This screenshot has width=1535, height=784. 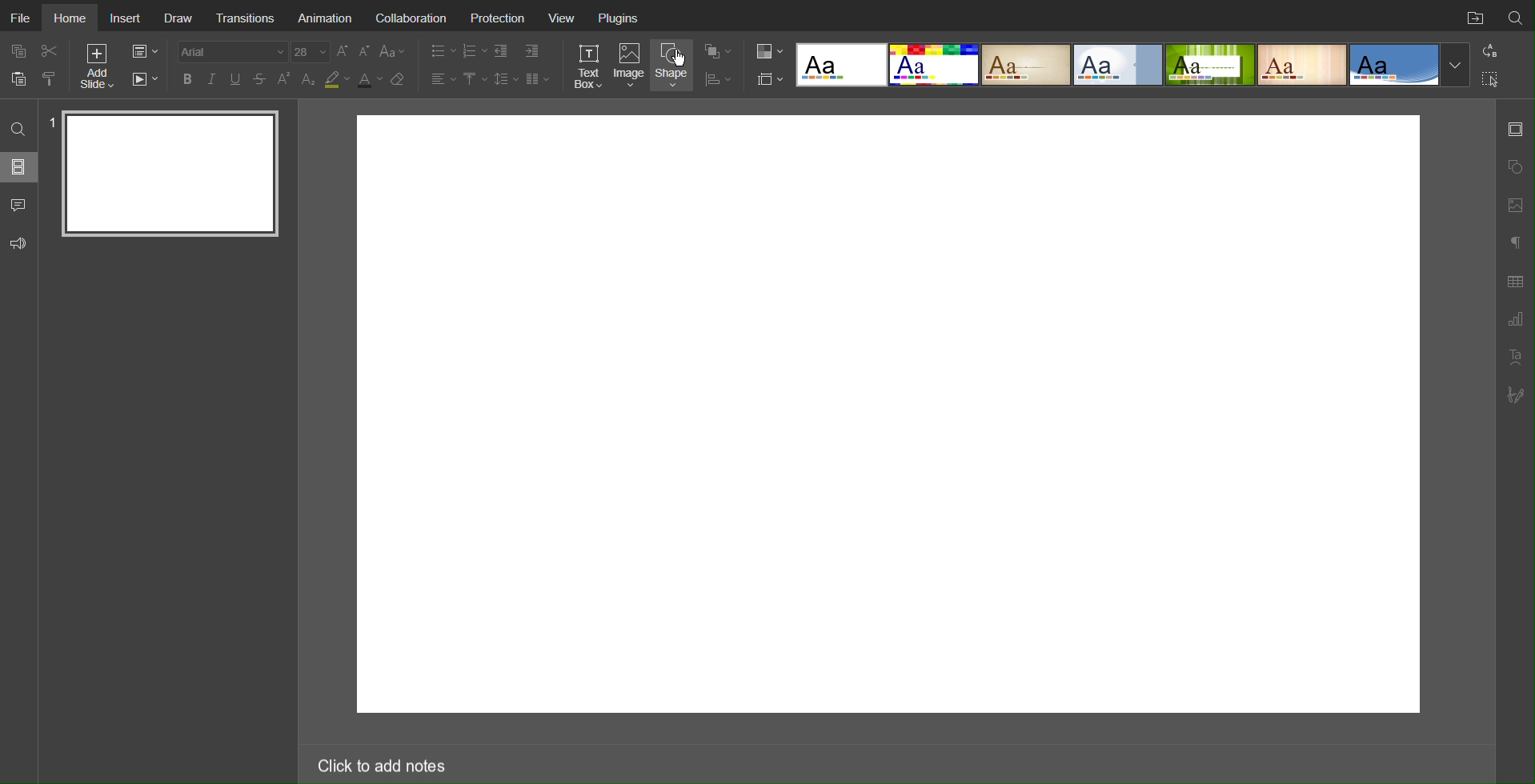 I want to click on Decrease Indent, so click(x=503, y=51).